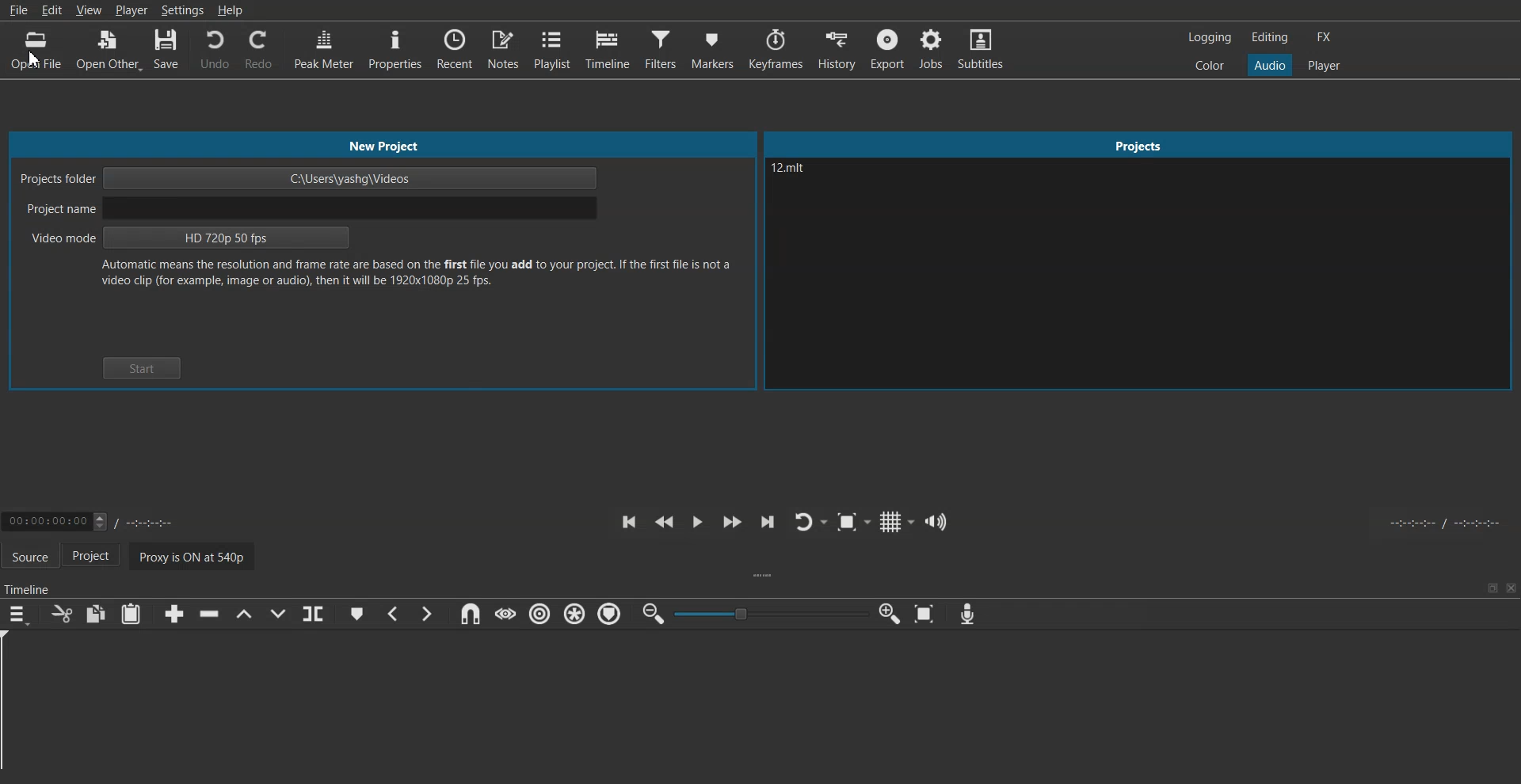  What do you see at coordinates (214, 50) in the screenshot?
I see `Undo` at bounding box center [214, 50].